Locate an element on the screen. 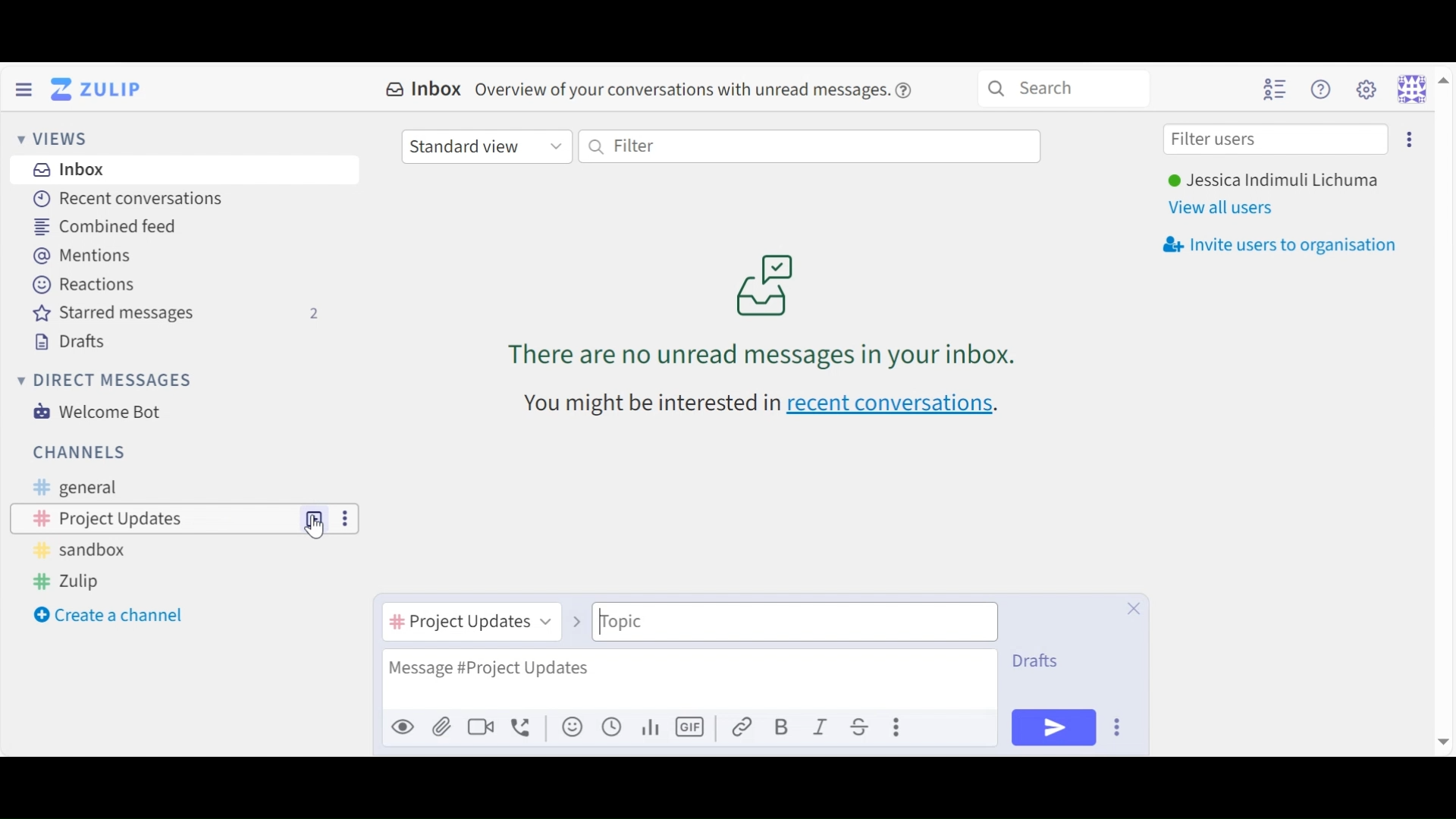 The image size is (1456, 819). recent conversations is located at coordinates (893, 405).